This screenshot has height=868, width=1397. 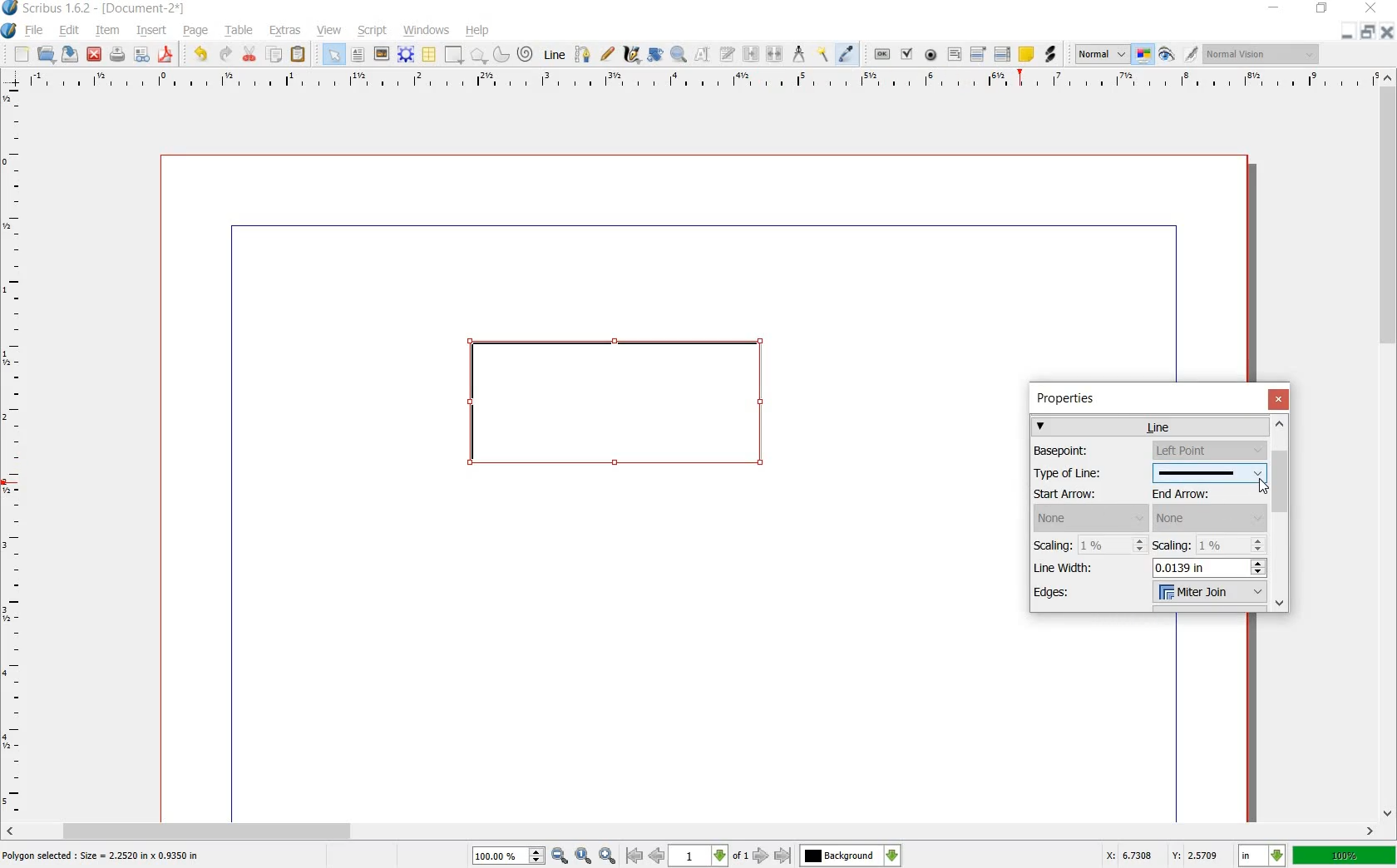 What do you see at coordinates (700, 81) in the screenshot?
I see `RULER` at bounding box center [700, 81].